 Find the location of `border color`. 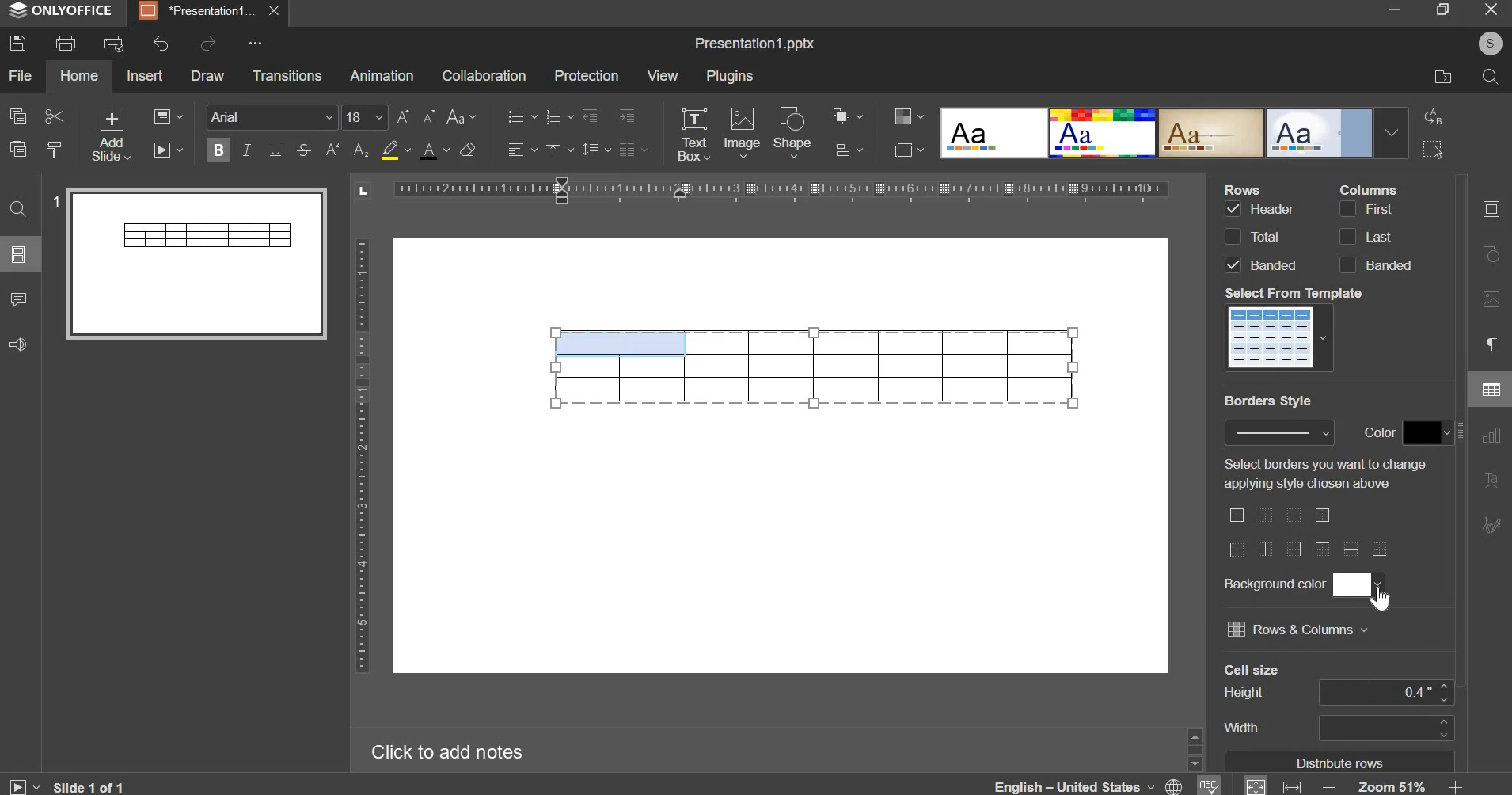

border color is located at coordinates (1427, 433).